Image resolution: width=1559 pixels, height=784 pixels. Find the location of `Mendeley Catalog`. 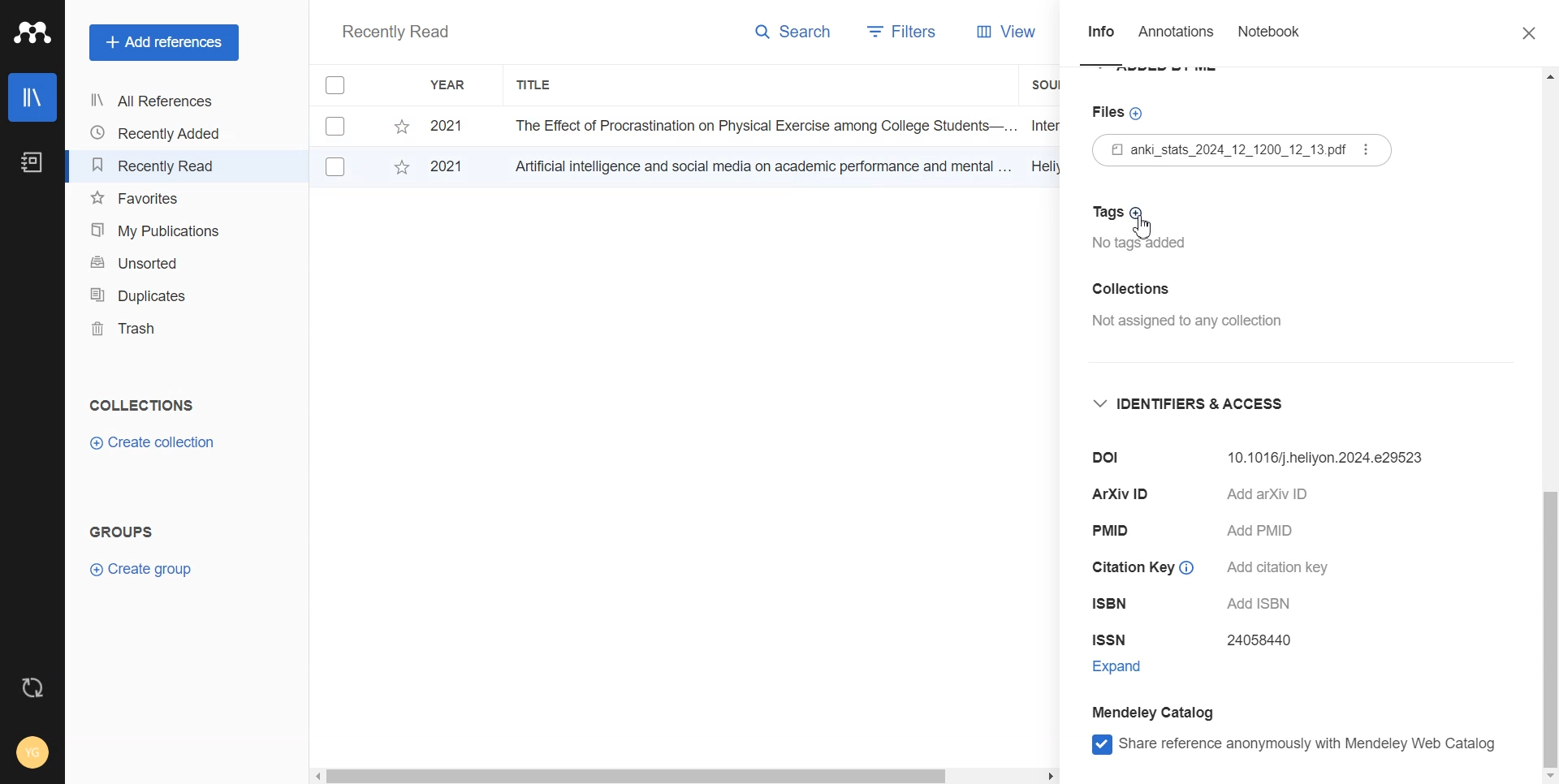

Mendeley Catalog is located at coordinates (1172, 714).